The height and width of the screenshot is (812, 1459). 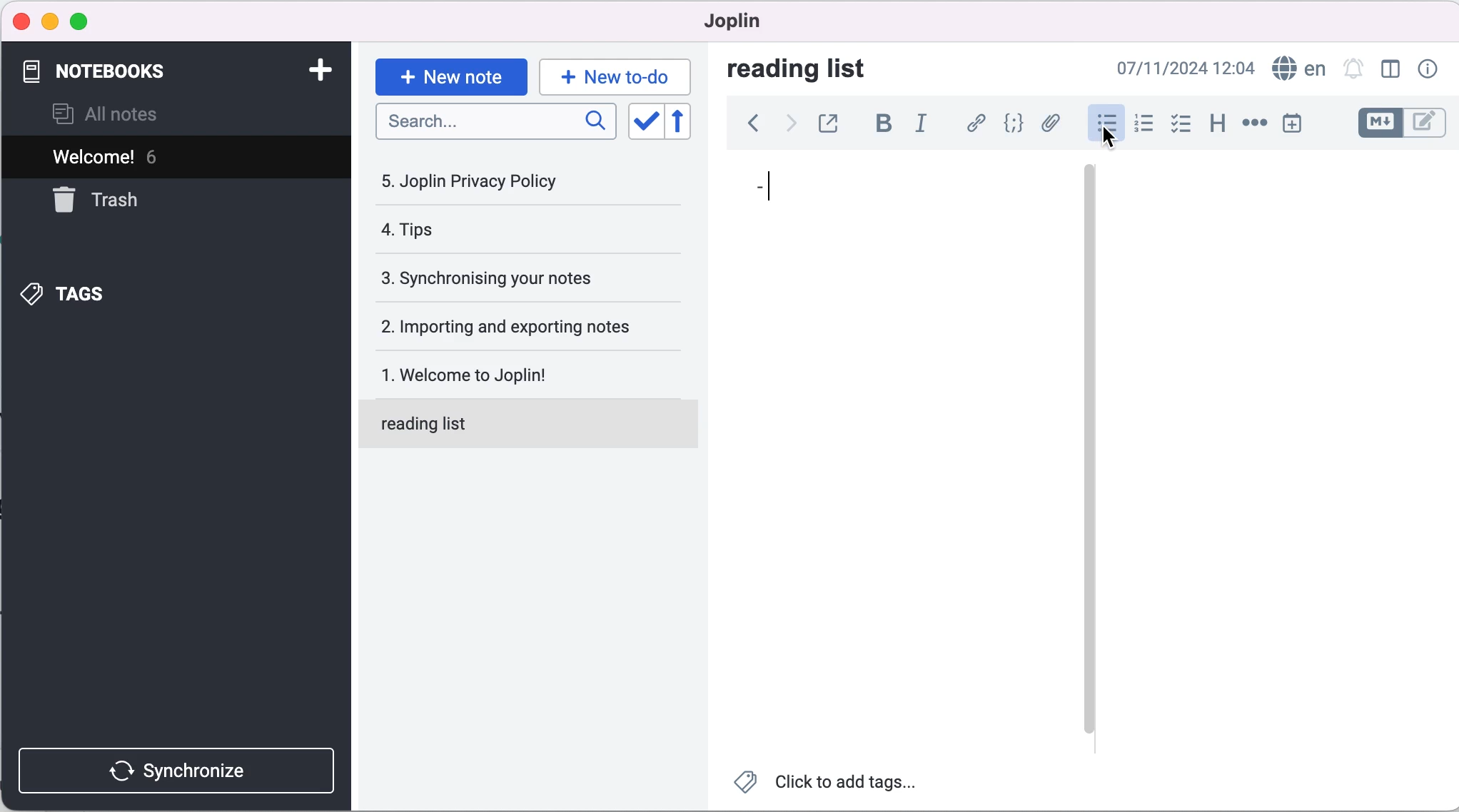 What do you see at coordinates (158, 71) in the screenshot?
I see `notebooks` at bounding box center [158, 71].